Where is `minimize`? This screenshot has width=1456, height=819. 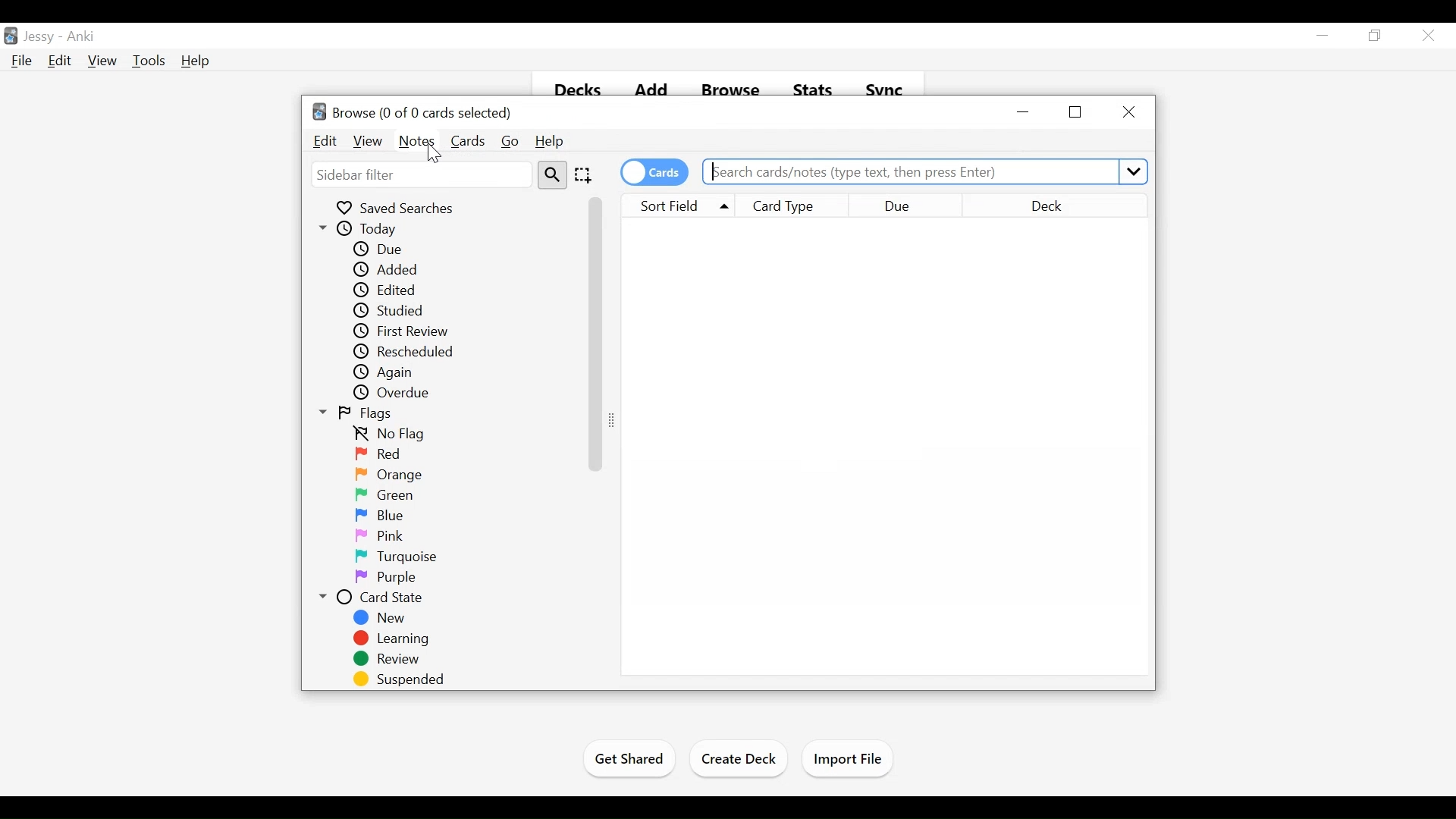
minimize is located at coordinates (1025, 111).